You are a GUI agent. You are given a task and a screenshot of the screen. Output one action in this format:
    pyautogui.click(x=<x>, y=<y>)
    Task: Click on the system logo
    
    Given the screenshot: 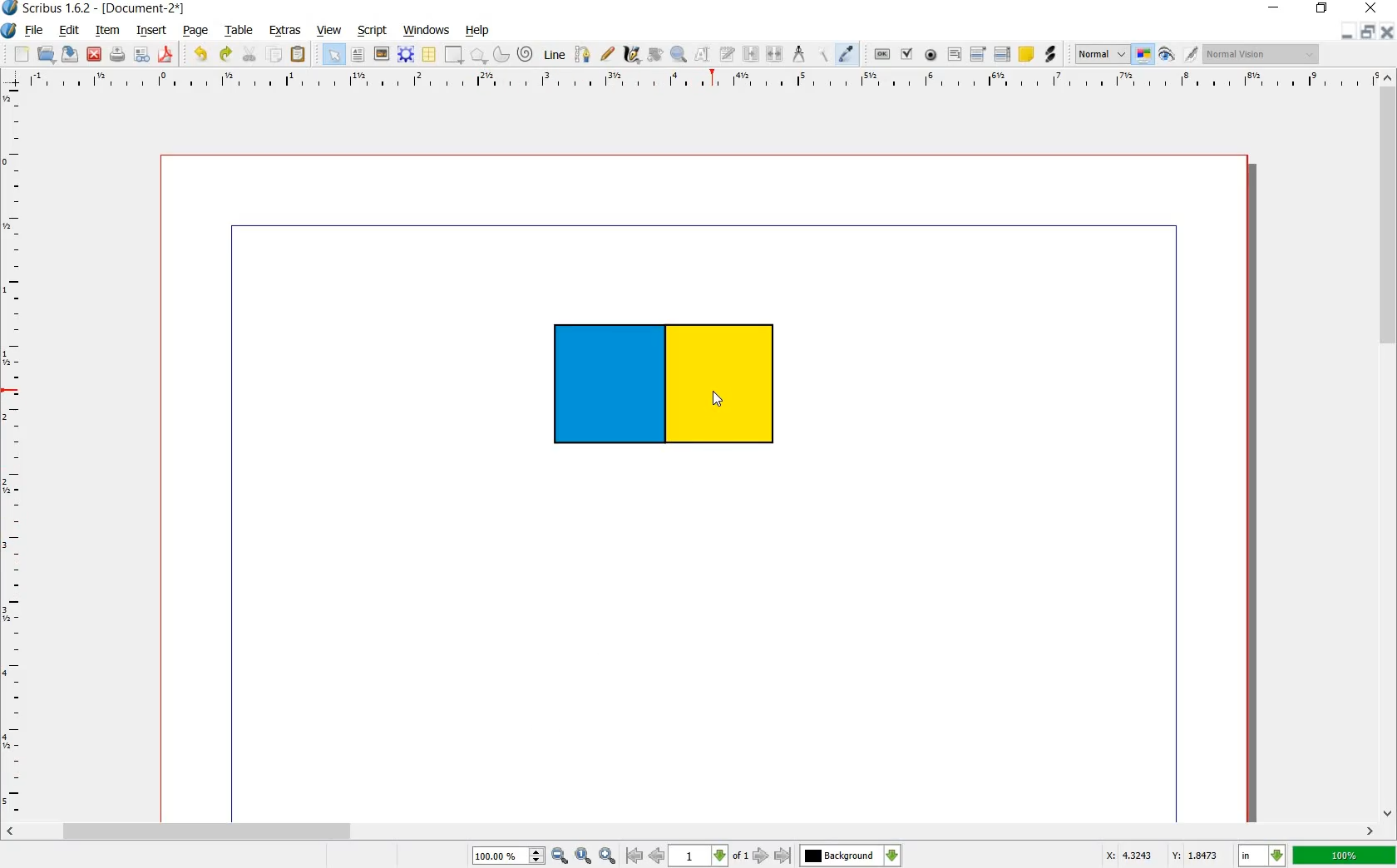 What is the action you would take?
    pyautogui.click(x=10, y=31)
    